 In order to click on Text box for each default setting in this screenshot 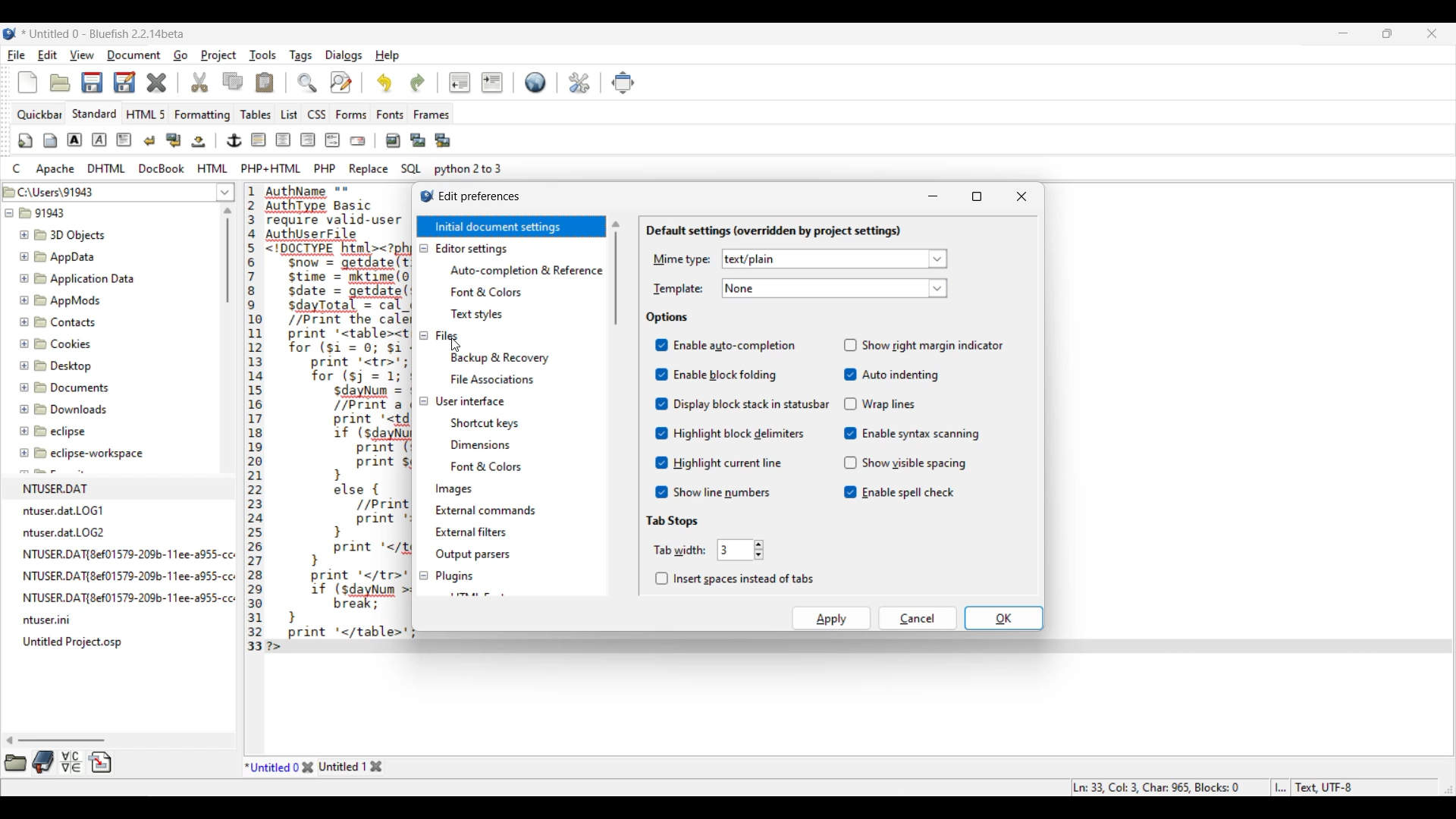, I will do `click(825, 274)`.